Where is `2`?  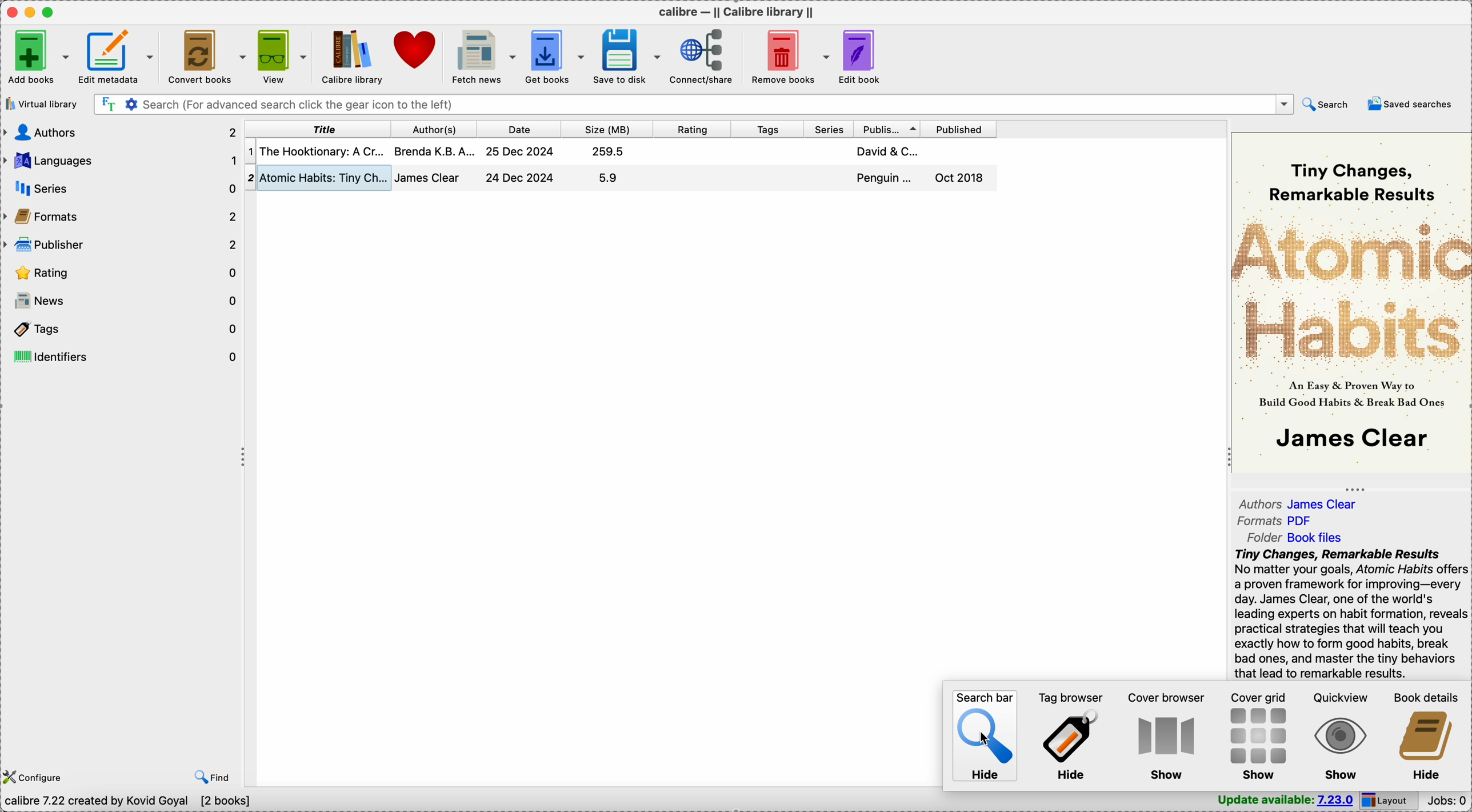
2 is located at coordinates (250, 179).